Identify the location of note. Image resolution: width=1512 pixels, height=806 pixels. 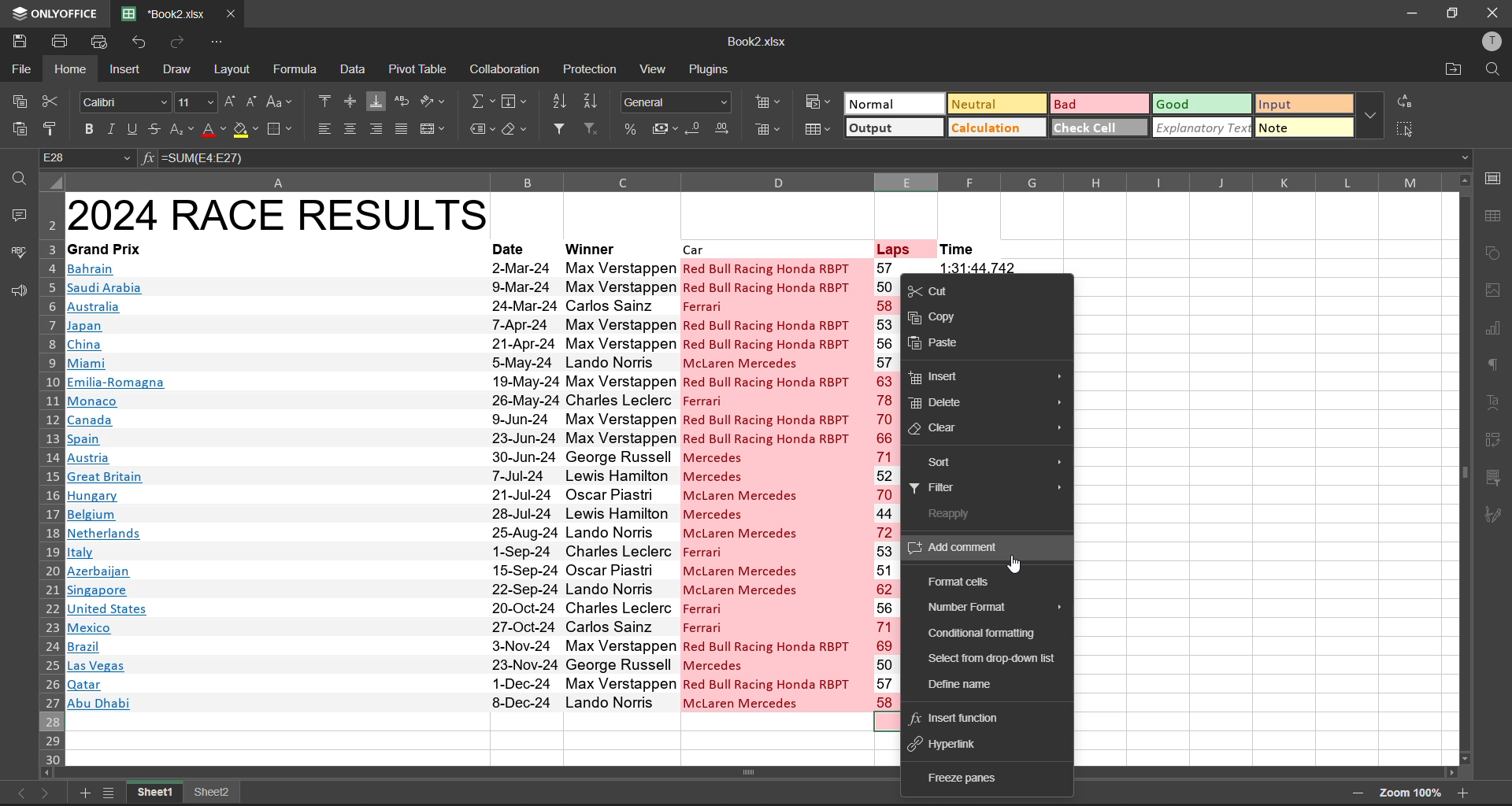
(1299, 128).